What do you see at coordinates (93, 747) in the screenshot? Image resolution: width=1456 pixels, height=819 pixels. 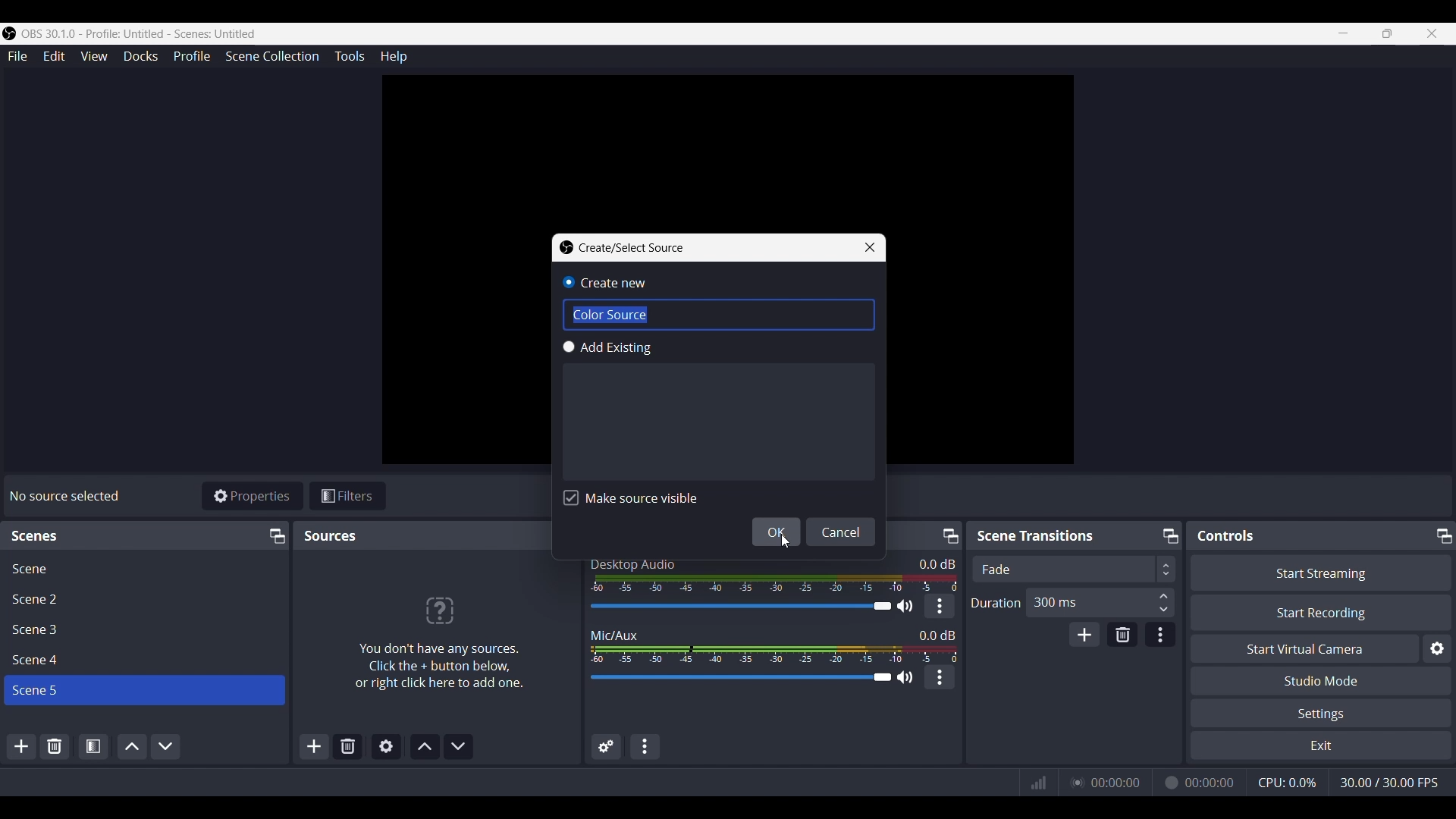 I see `Open Scene Properties` at bounding box center [93, 747].